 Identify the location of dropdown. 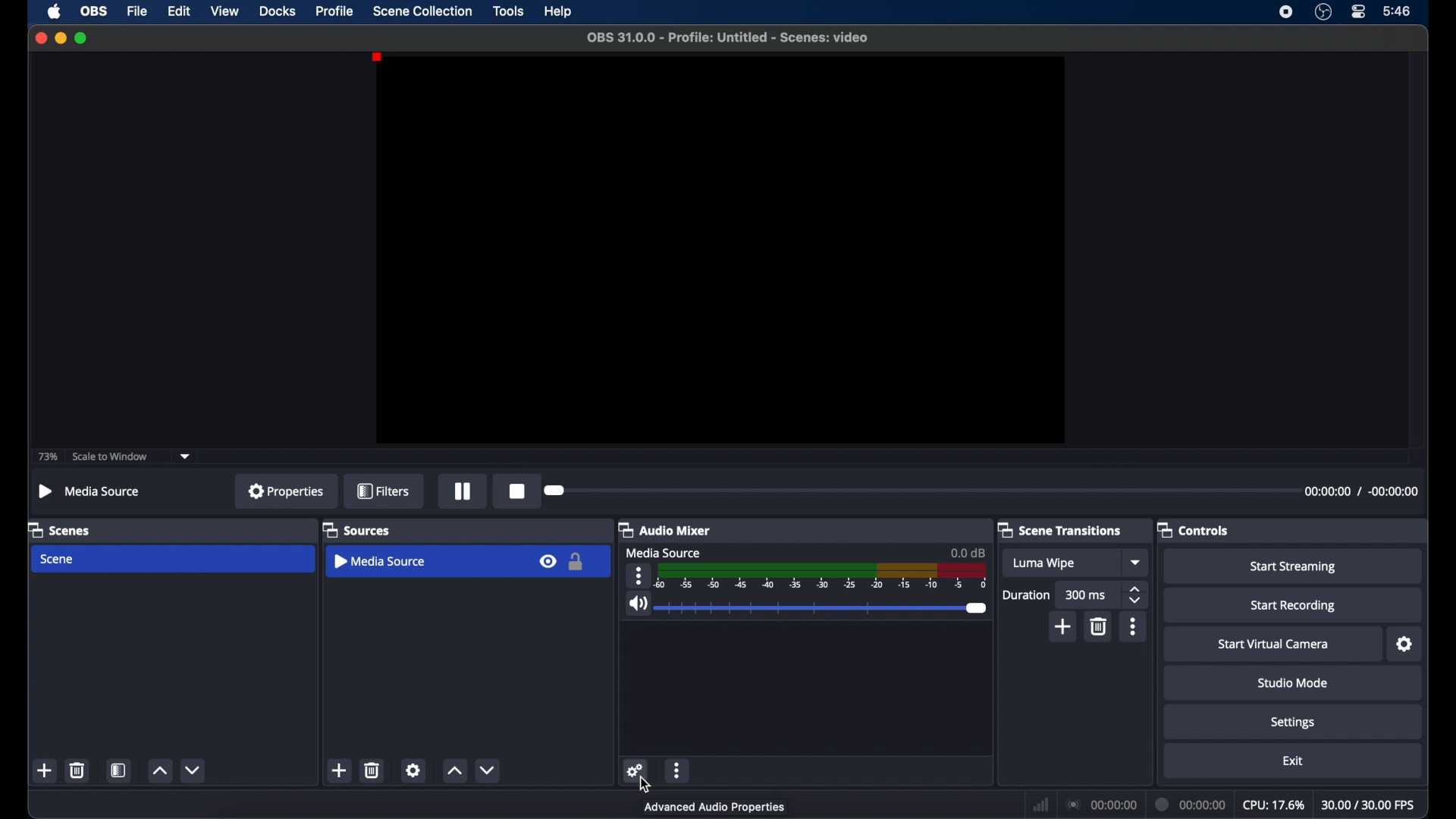
(185, 457).